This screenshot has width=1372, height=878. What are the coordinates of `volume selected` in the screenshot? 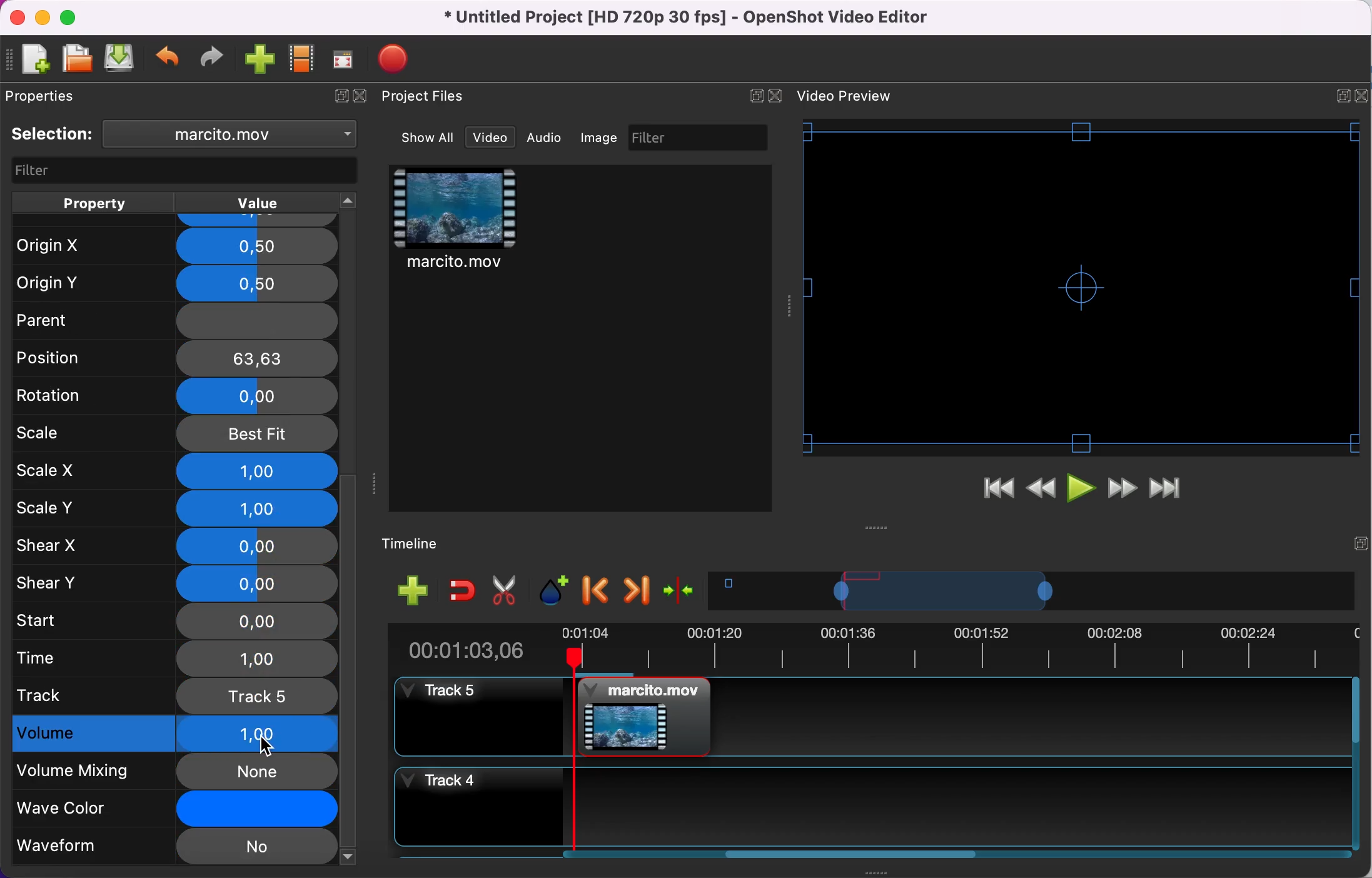 It's located at (176, 732).